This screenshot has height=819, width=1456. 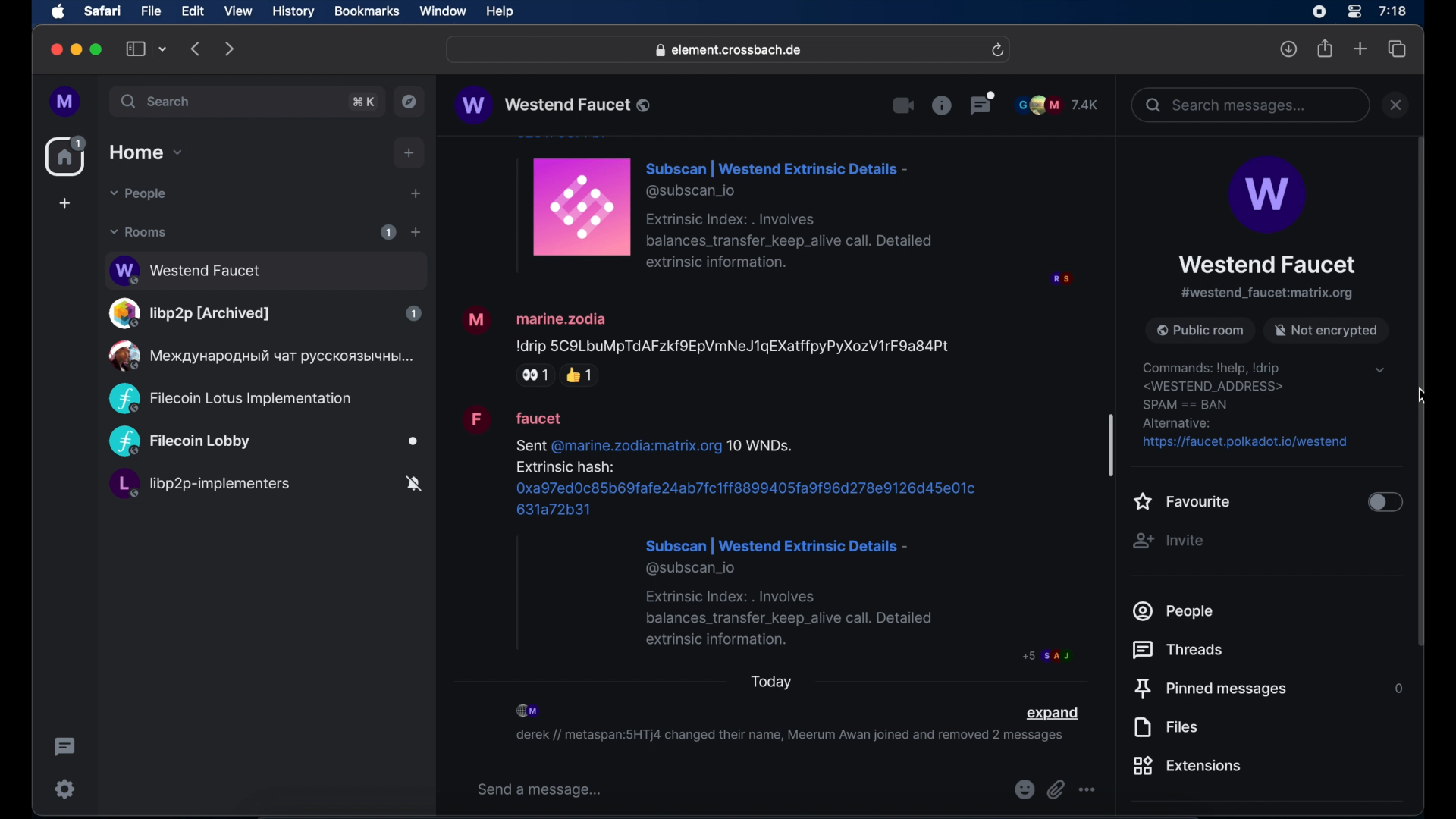 I want to click on close, so click(x=1396, y=105).